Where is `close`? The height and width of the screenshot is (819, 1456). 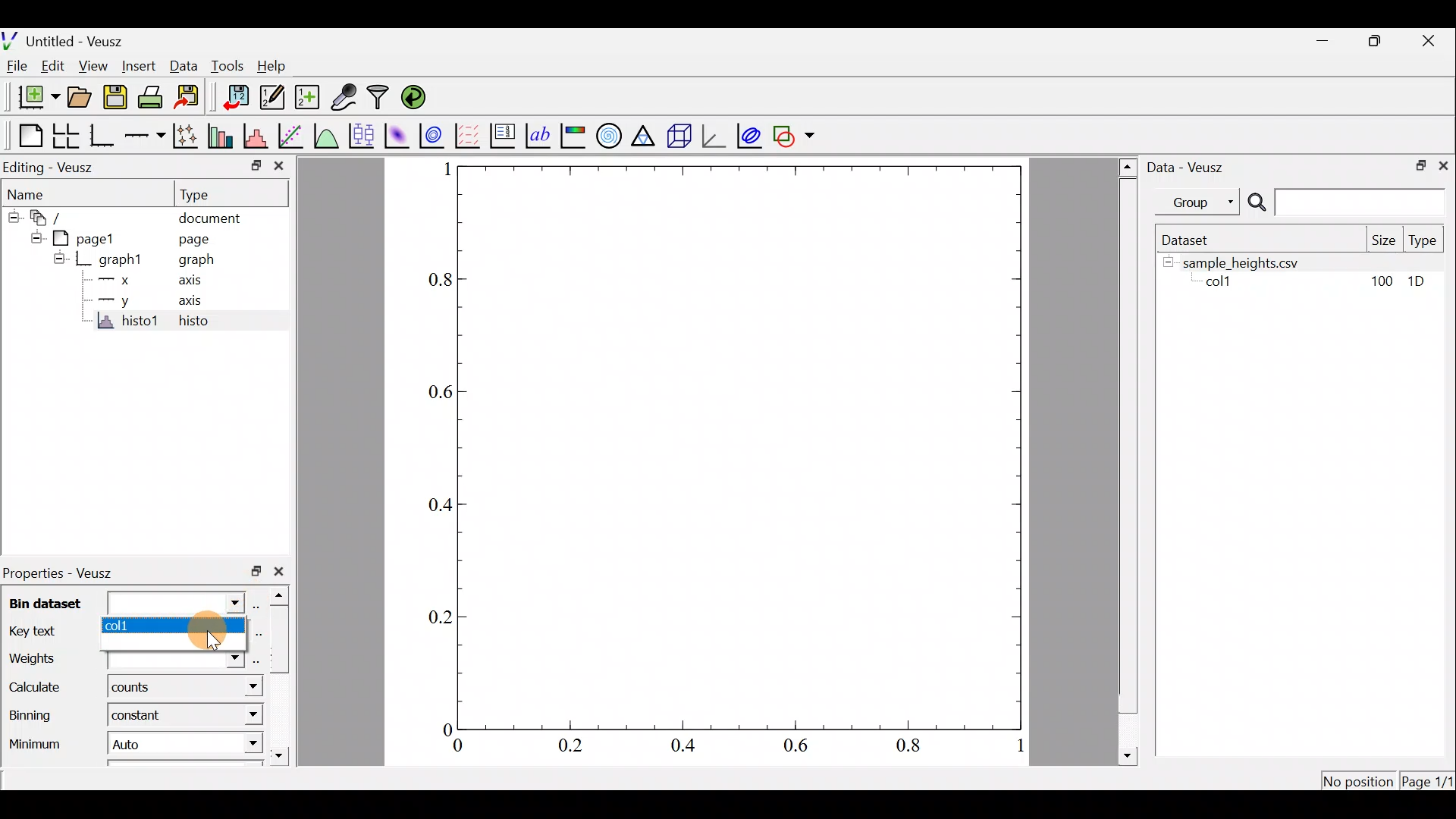
close is located at coordinates (284, 572).